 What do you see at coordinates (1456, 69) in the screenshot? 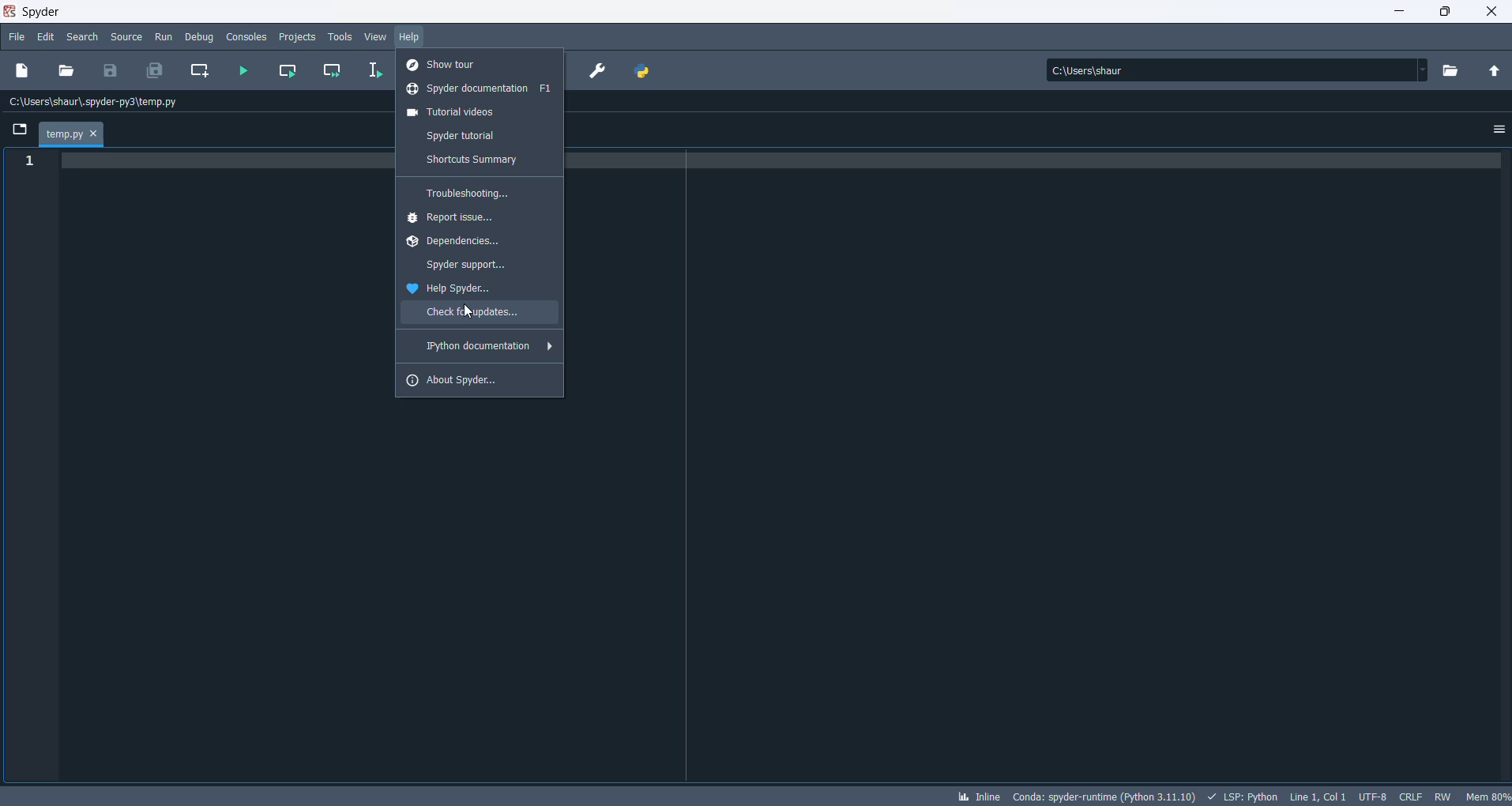
I see `browse directory` at bounding box center [1456, 69].